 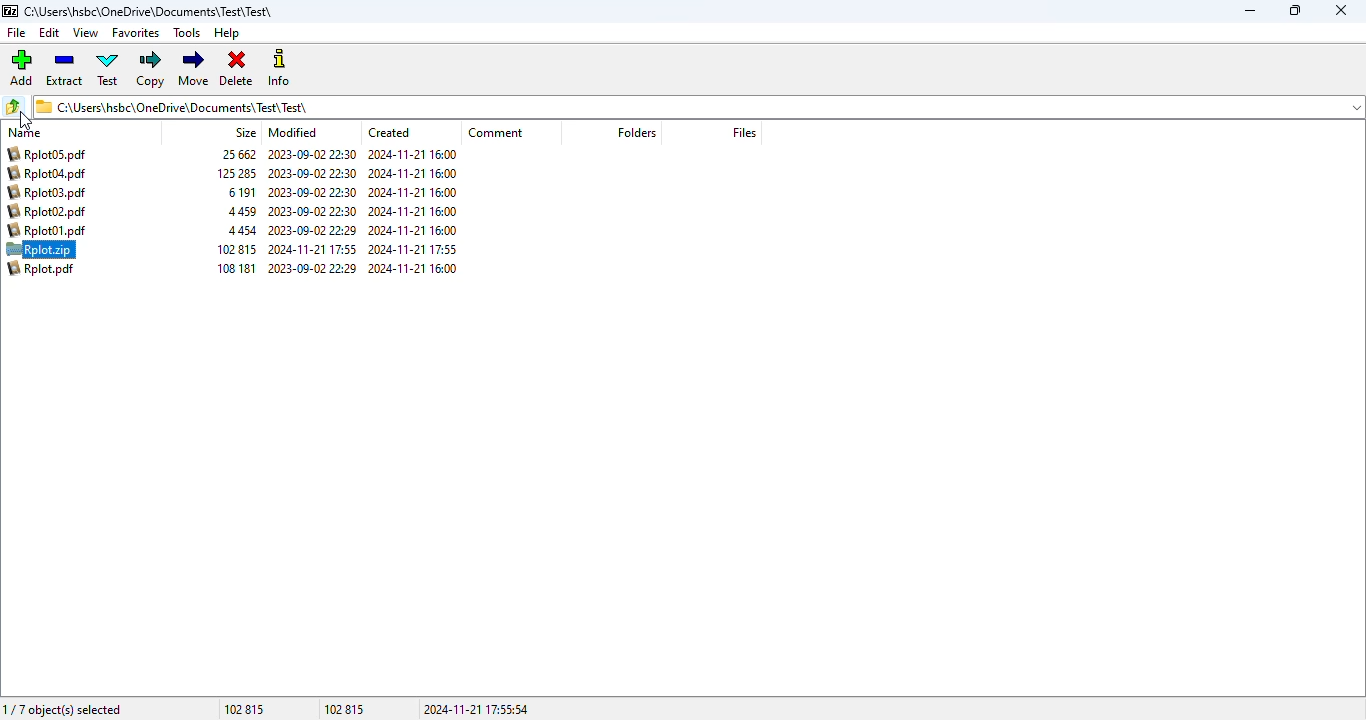 What do you see at coordinates (20, 67) in the screenshot?
I see `add` at bounding box center [20, 67].